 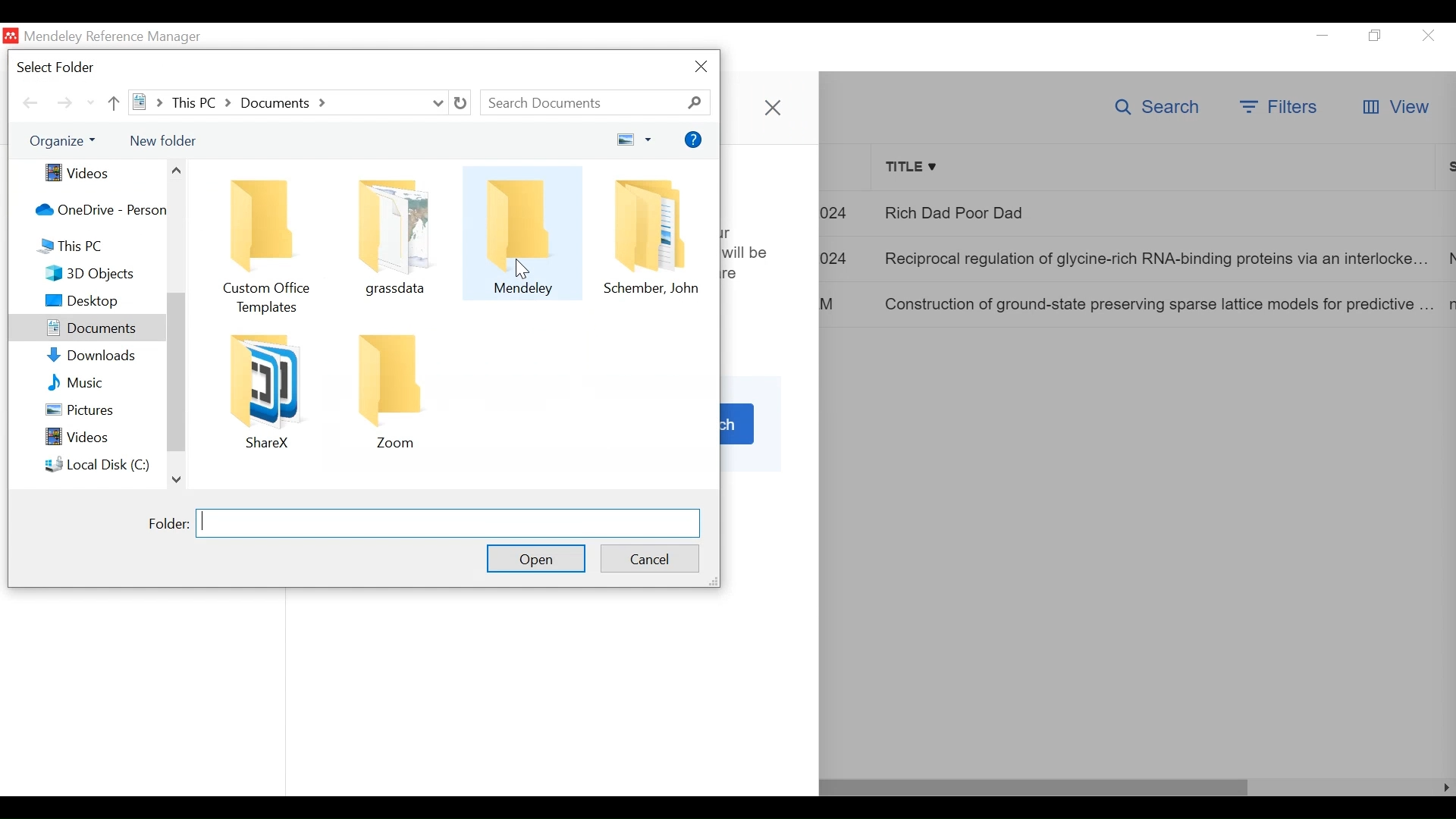 What do you see at coordinates (1150, 306) in the screenshot?
I see `Construction of ground-state preserving sparse lattice models for predictive ...` at bounding box center [1150, 306].